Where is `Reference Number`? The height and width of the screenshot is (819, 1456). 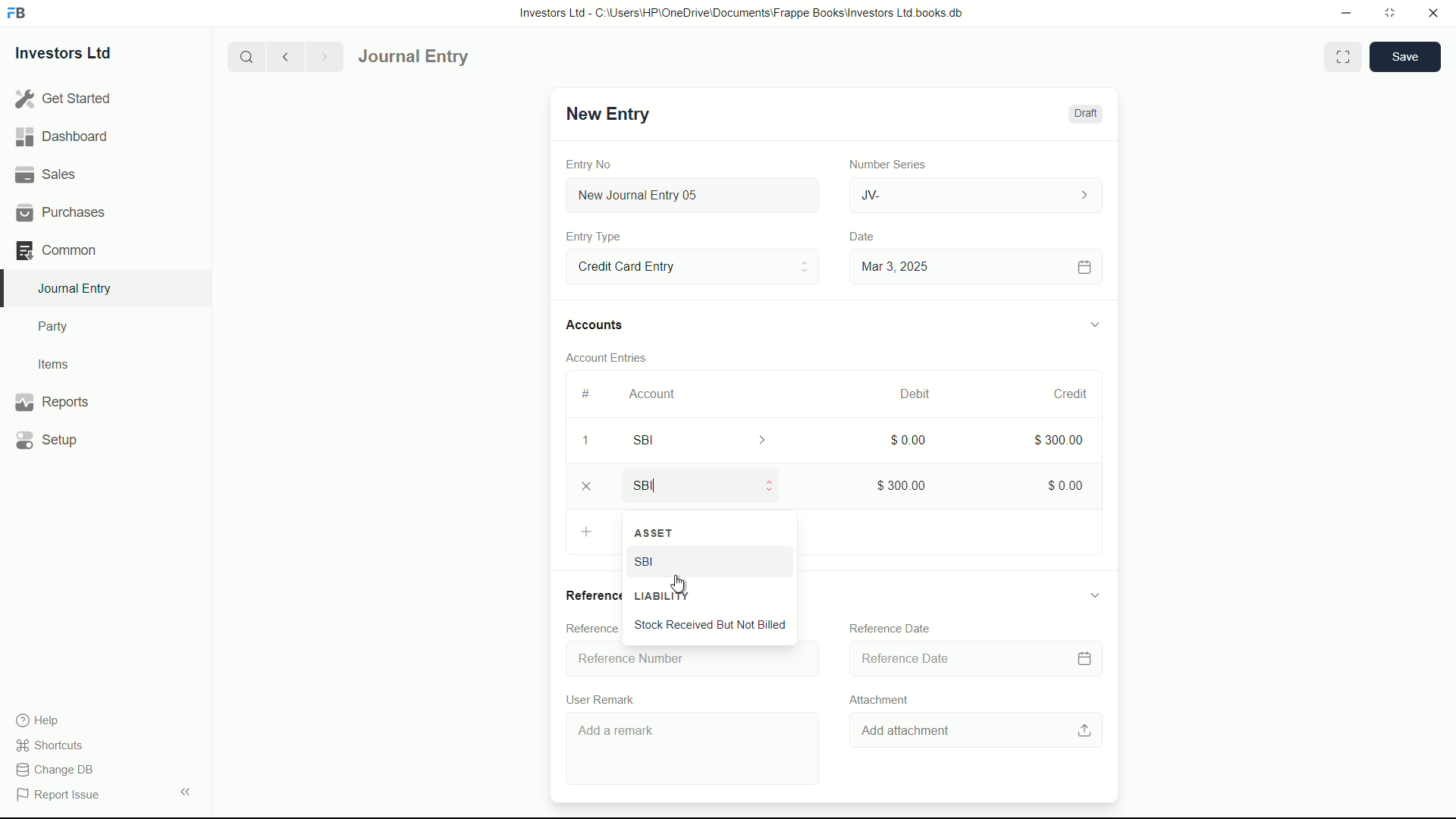
Reference Number is located at coordinates (686, 655).